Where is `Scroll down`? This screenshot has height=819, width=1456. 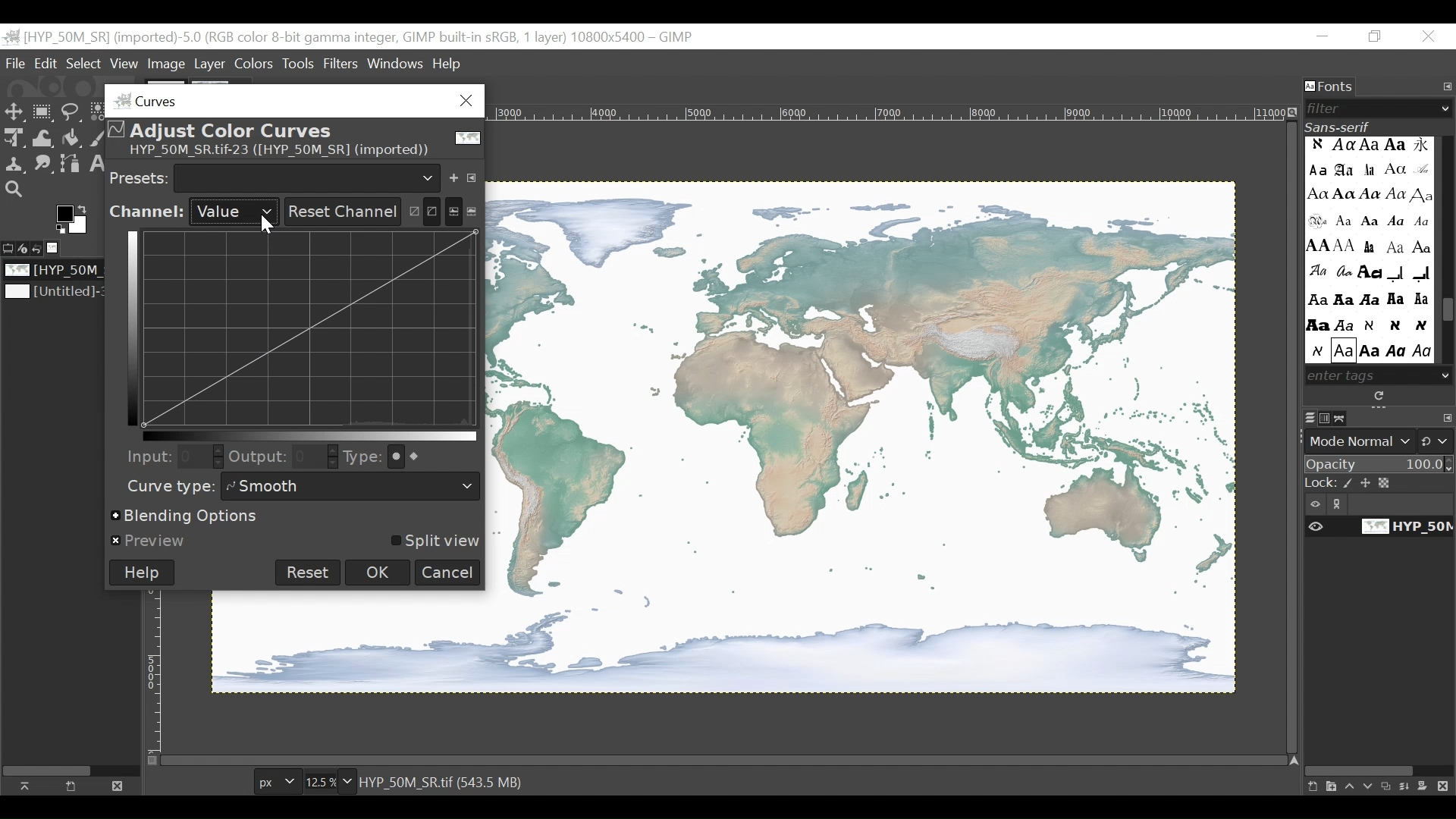
Scroll down is located at coordinates (1446, 375).